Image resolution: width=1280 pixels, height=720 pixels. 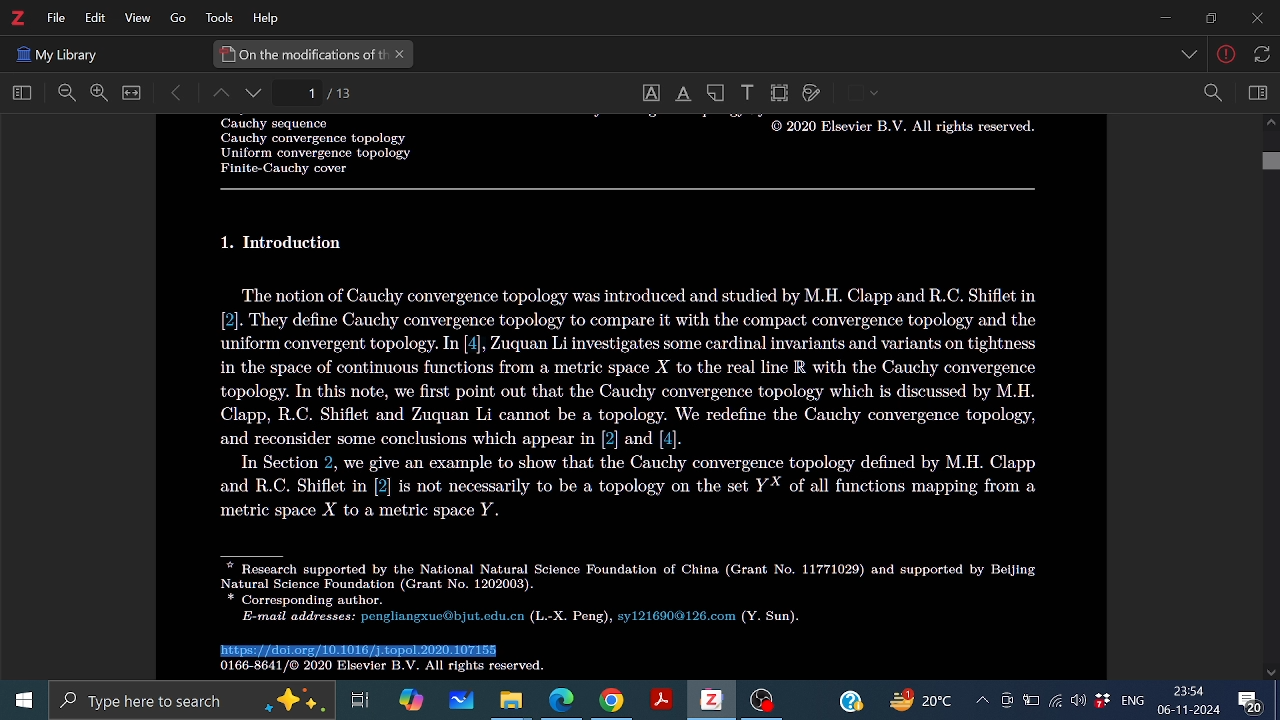 What do you see at coordinates (1208, 18) in the screenshot?
I see `Restore down` at bounding box center [1208, 18].